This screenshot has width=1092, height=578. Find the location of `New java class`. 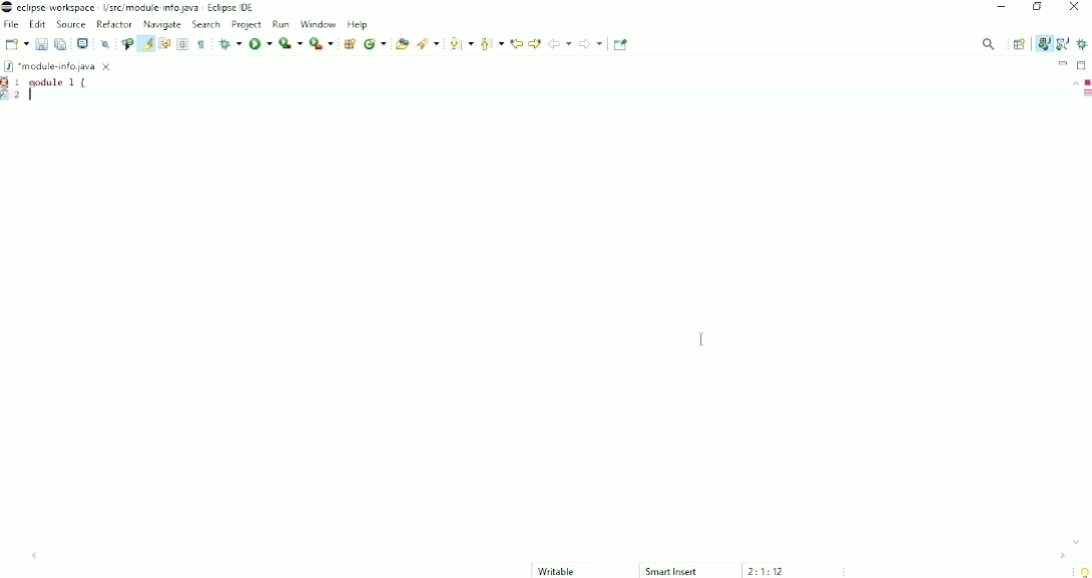

New java class is located at coordinates (375, 45).